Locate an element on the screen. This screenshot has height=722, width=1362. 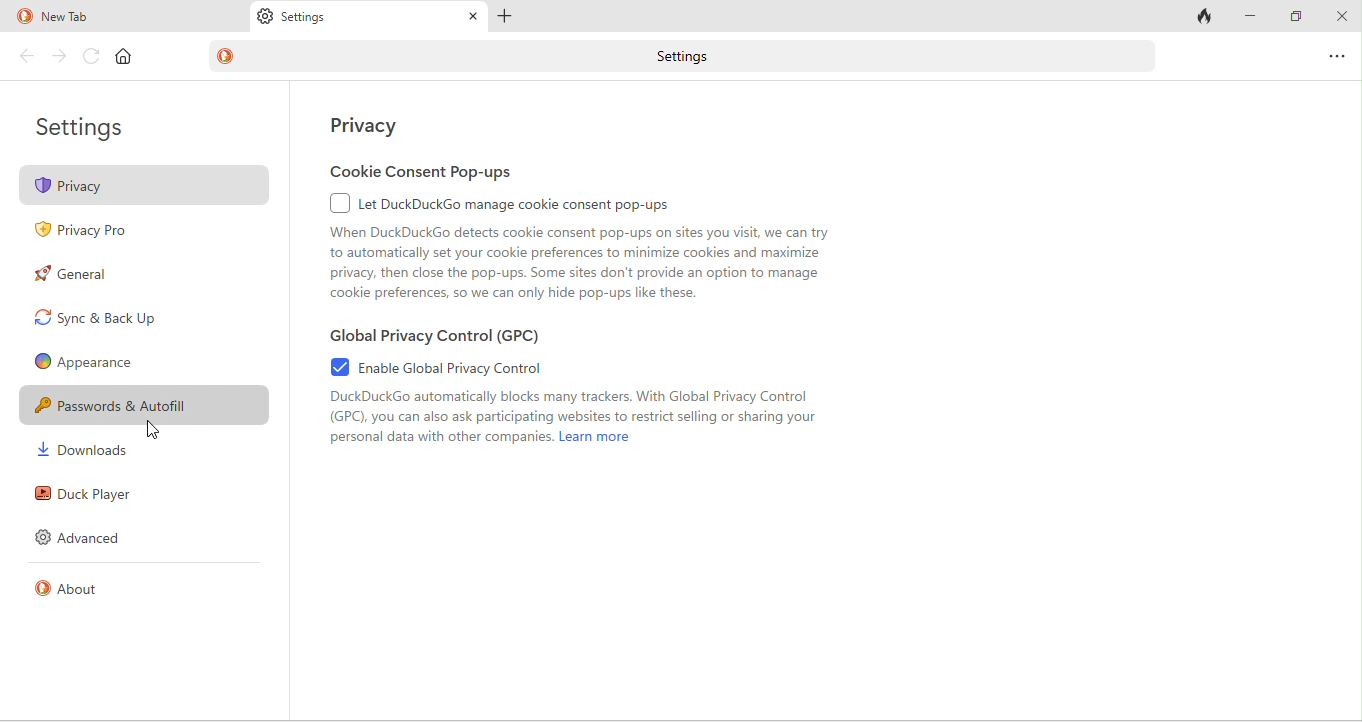
settings is located at coordinates (697, 56).